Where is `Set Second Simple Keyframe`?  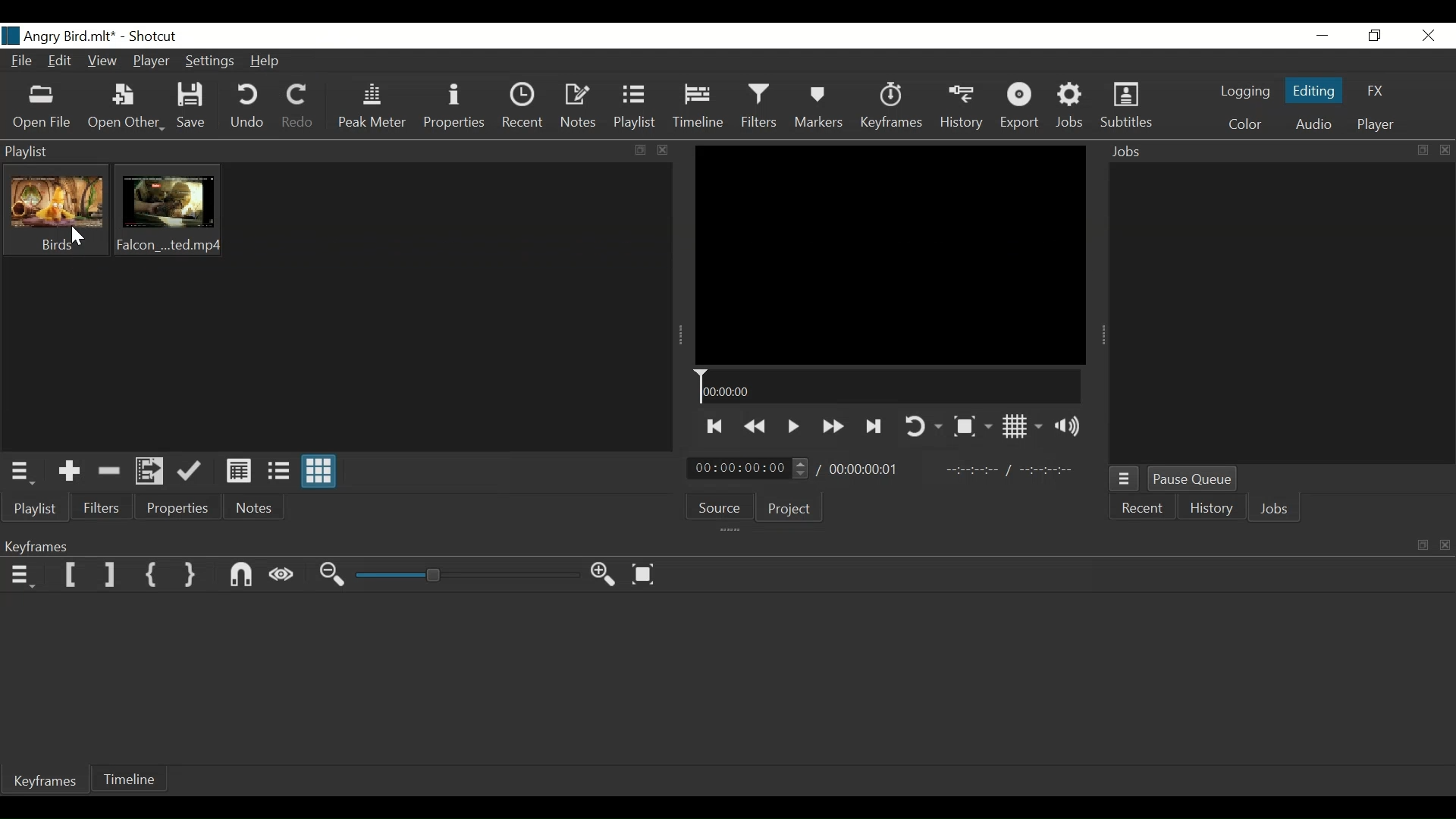 Set Second Simple Keyframe is located at coordinates (193, 576).